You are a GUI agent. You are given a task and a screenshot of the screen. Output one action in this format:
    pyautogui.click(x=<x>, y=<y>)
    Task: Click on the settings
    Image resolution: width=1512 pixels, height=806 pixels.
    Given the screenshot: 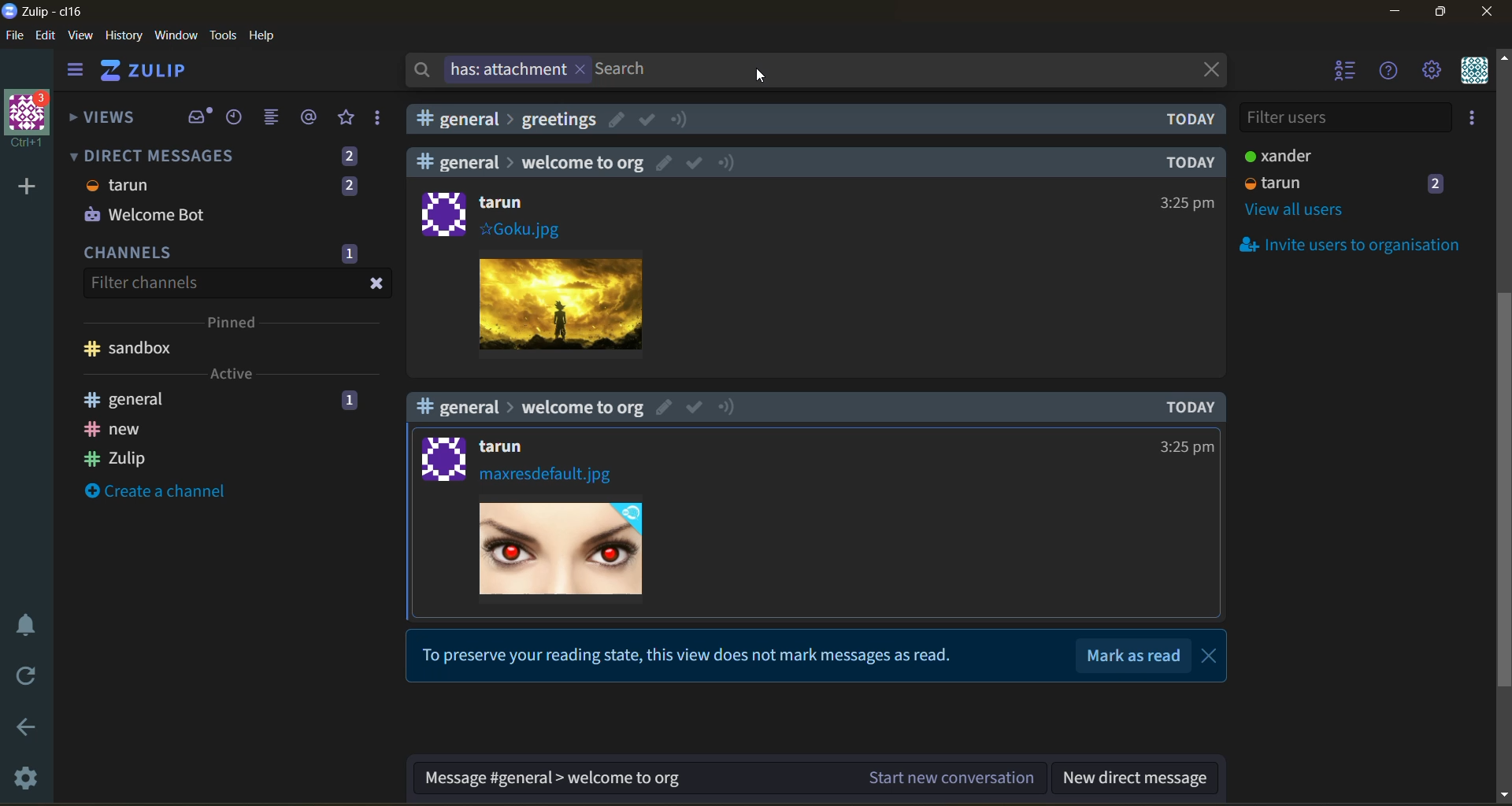 What is the action you would take?
    pyautogui.click(x=31, y=775)
    